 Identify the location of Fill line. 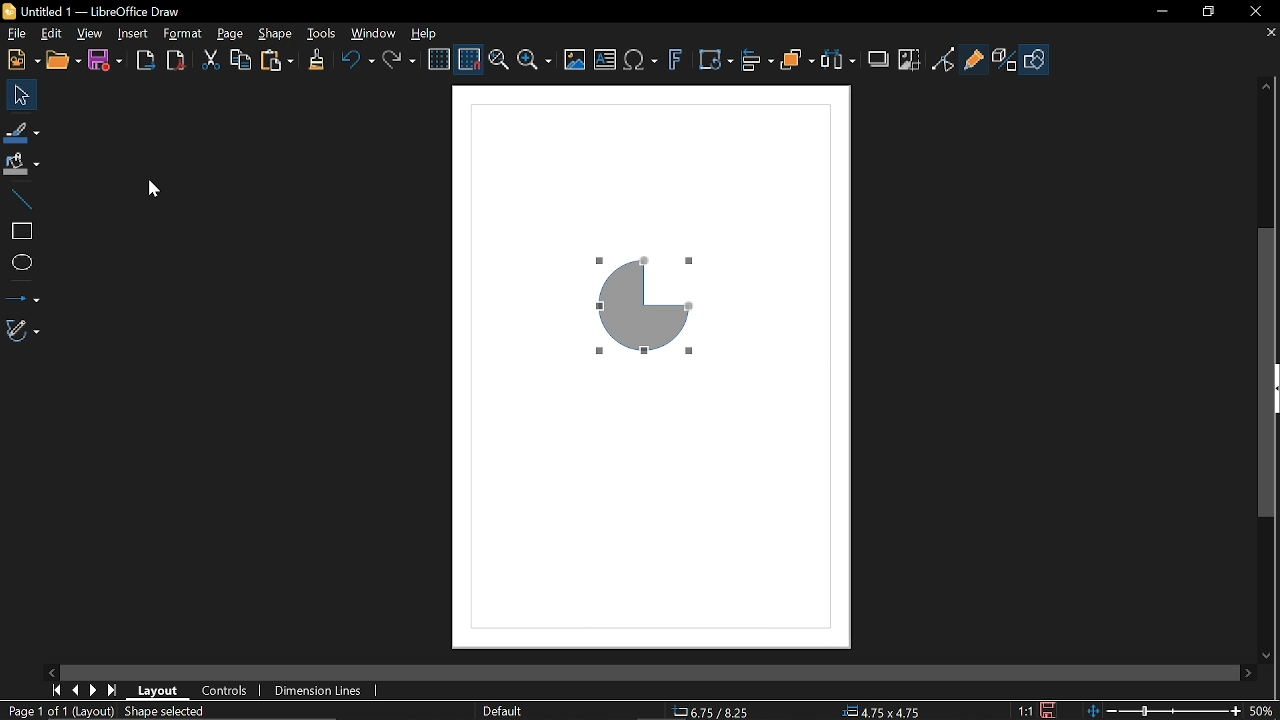
(22, 130).